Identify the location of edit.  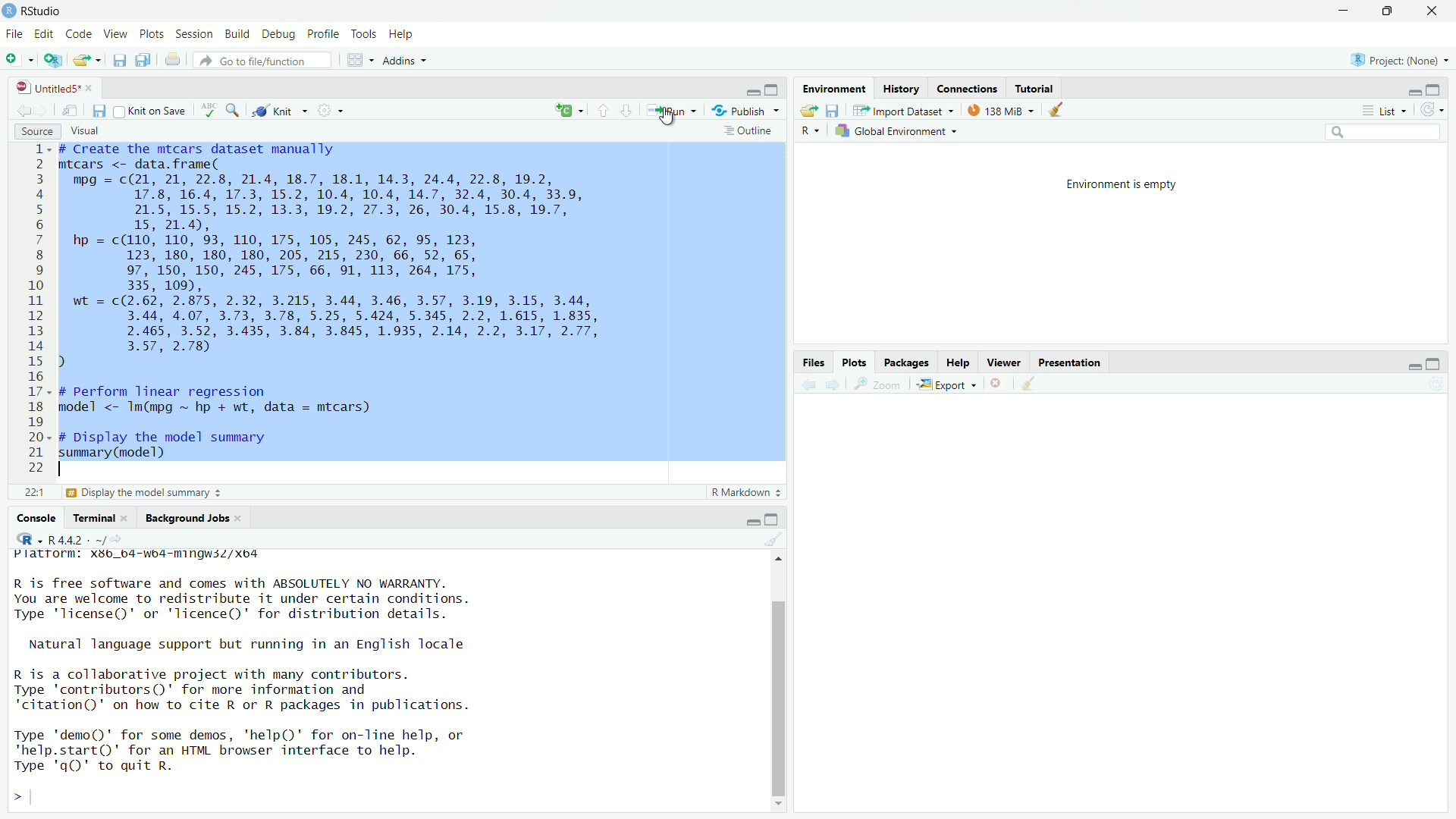
(43, 34).